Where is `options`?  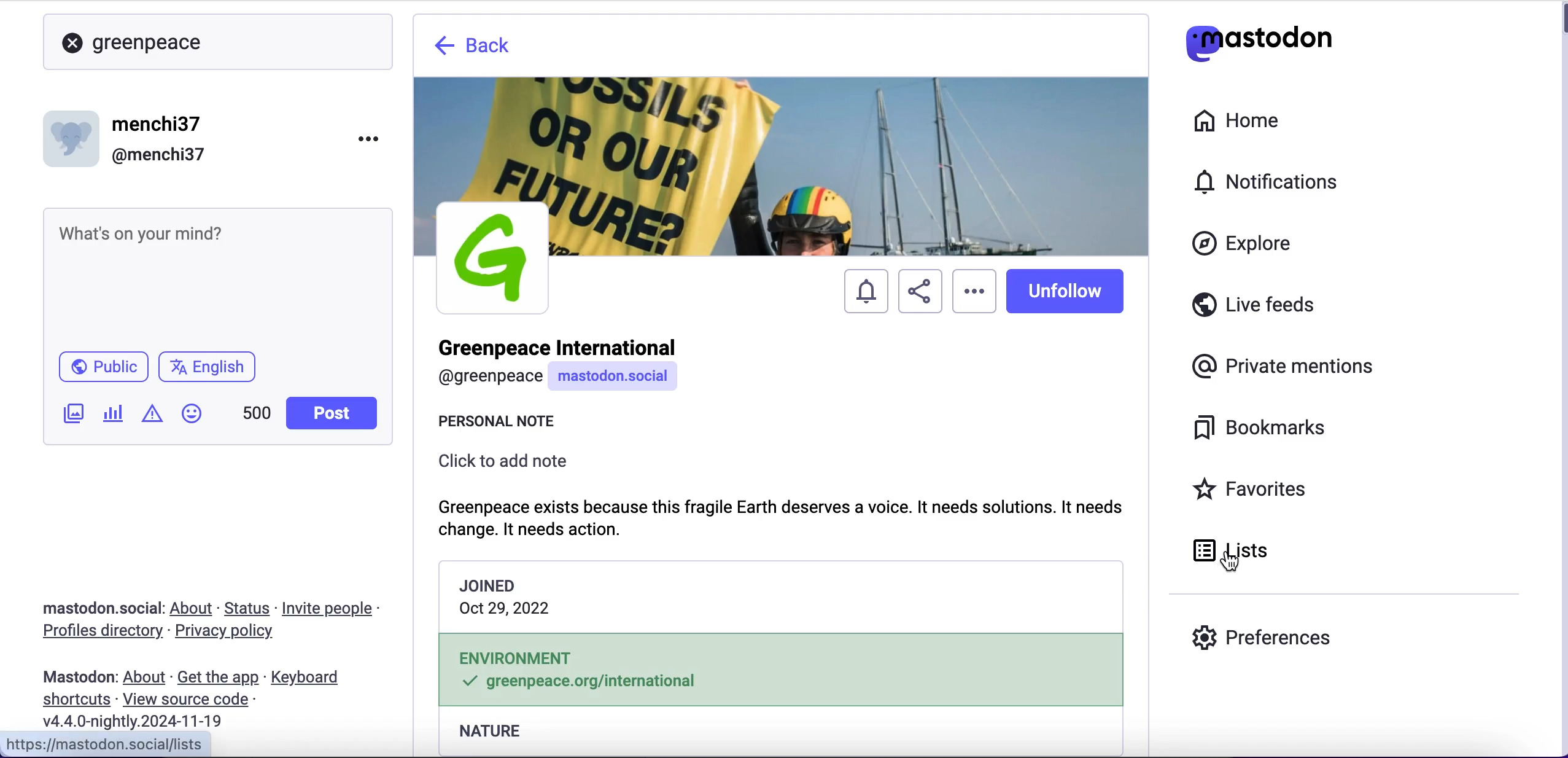 options is located at coordinates (973, 281).